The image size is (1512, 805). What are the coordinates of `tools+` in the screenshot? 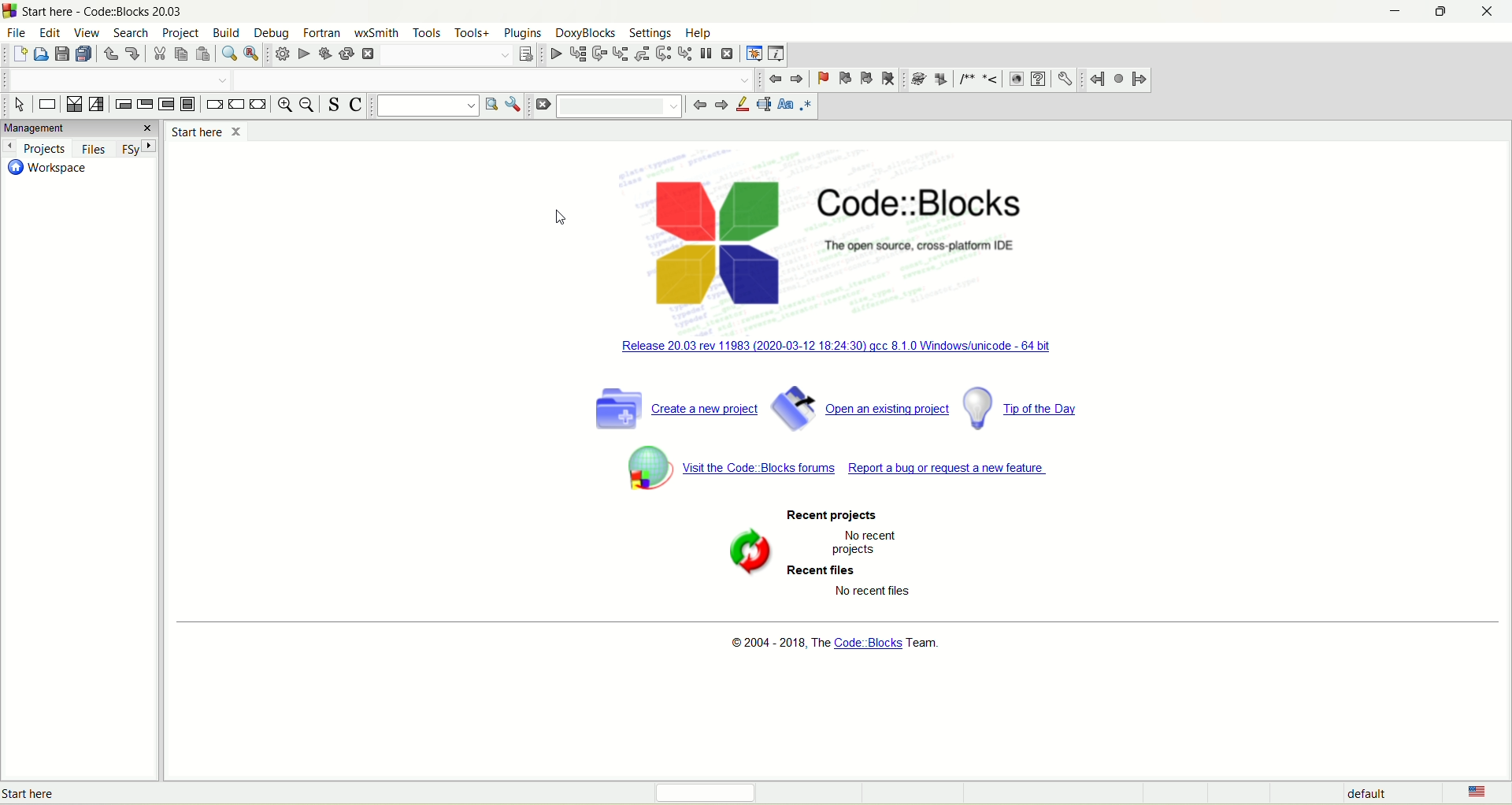 It's located at (472, 33).